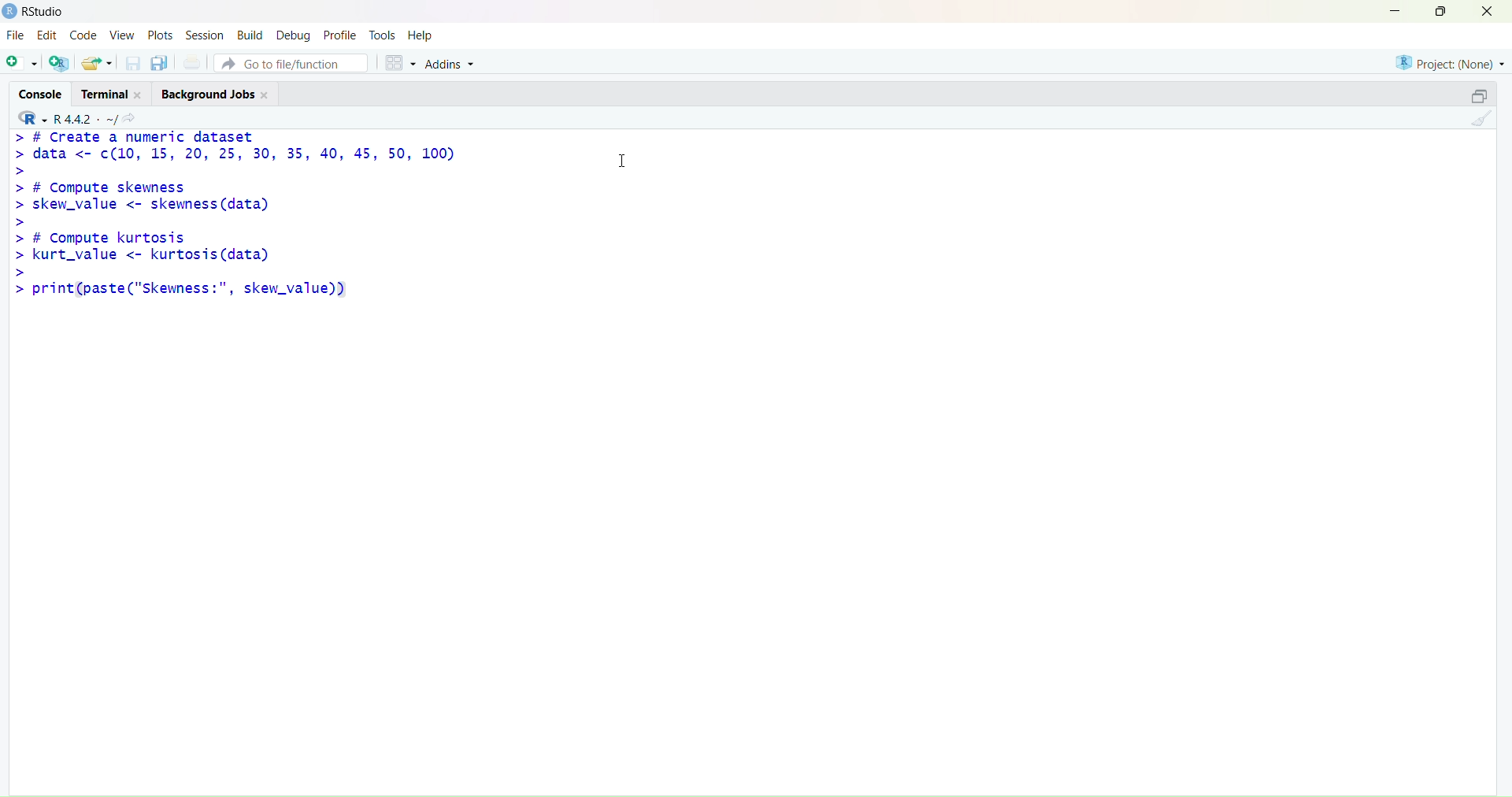 The height and width of the screenshot is (797, 1512). Describe the element at coordinates (50, 36) in the screenshot. I see `Edit` at that location.